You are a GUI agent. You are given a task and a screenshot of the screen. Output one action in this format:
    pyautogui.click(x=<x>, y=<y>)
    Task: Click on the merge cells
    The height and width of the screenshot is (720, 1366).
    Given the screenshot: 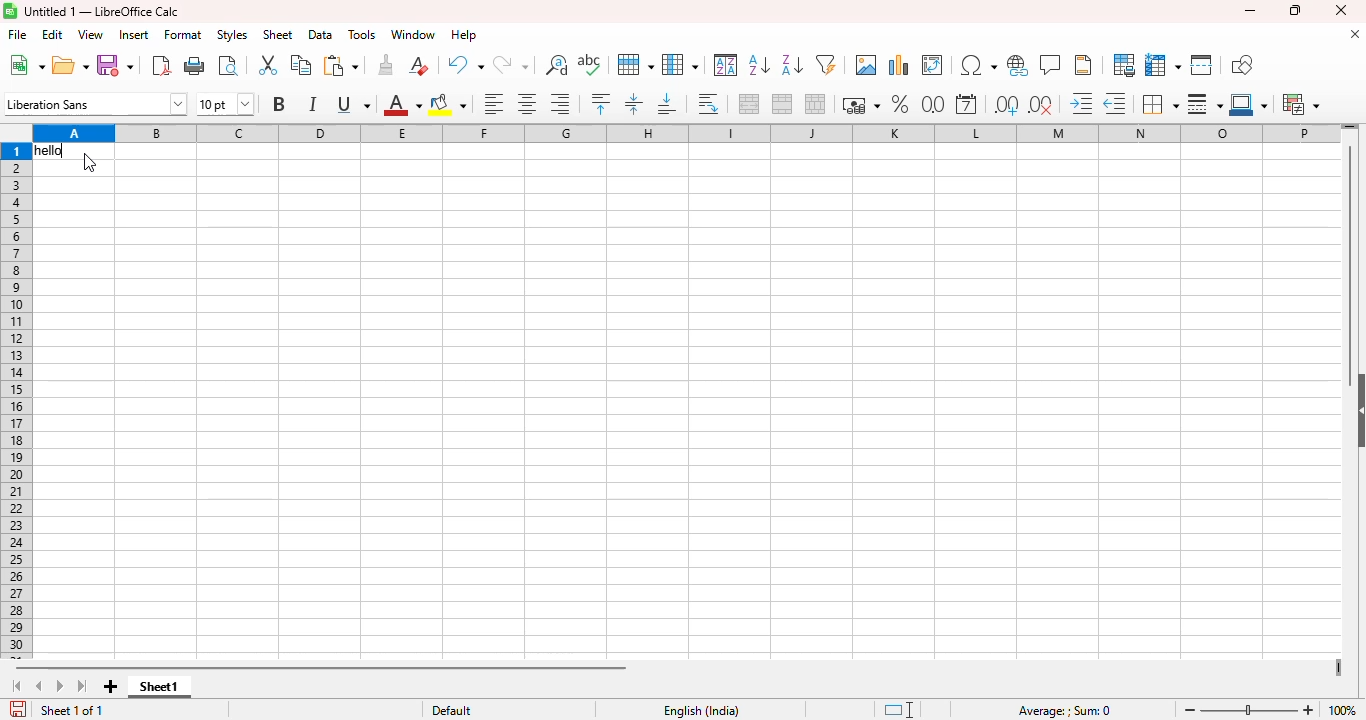 What is the action you would take?
    pyautogui.click(x=783, y=104)
    